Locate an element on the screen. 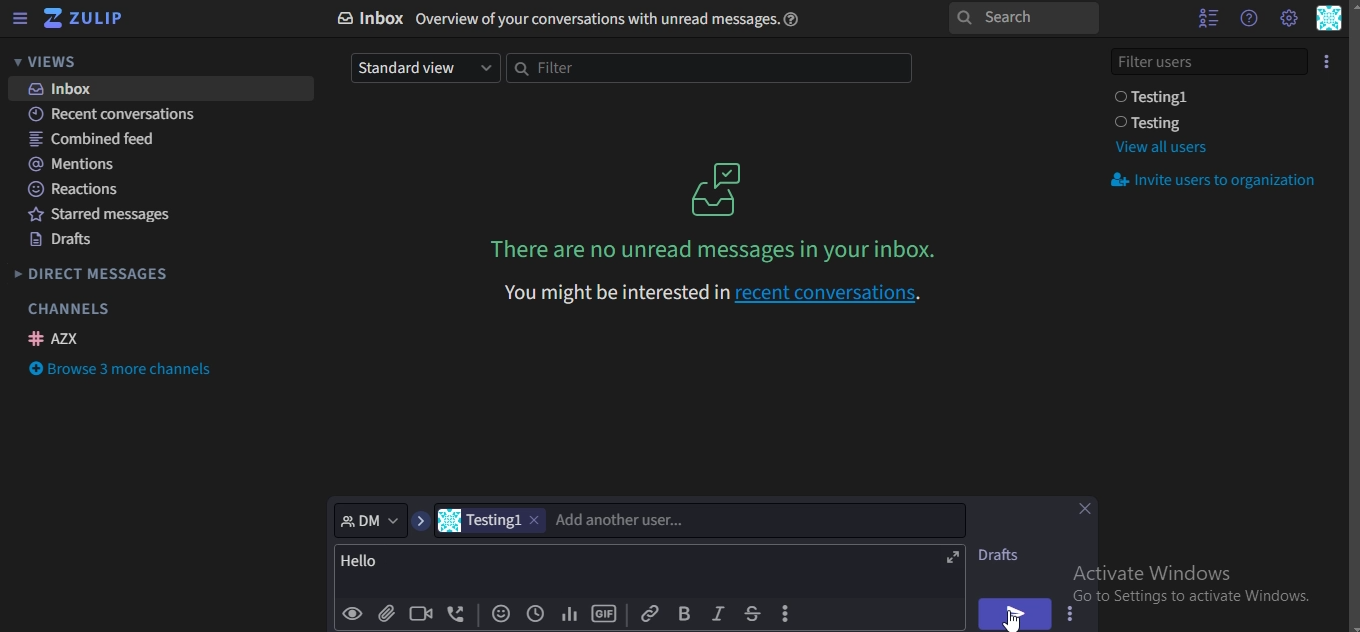 The image size is (1360, 632). standard view is located at coordinates (422, 67).